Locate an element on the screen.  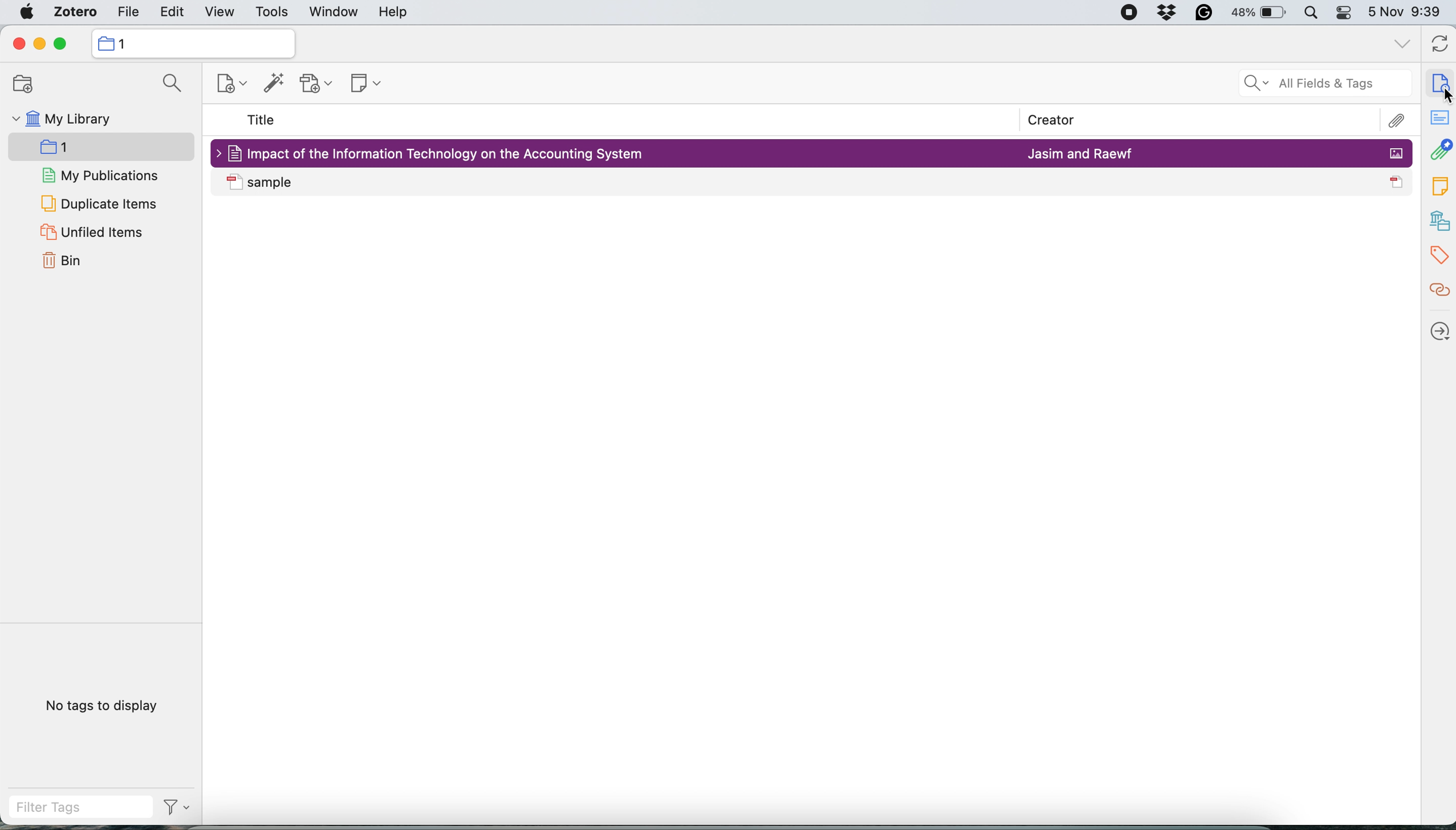
attachment is located at coordinates (1441, 148).